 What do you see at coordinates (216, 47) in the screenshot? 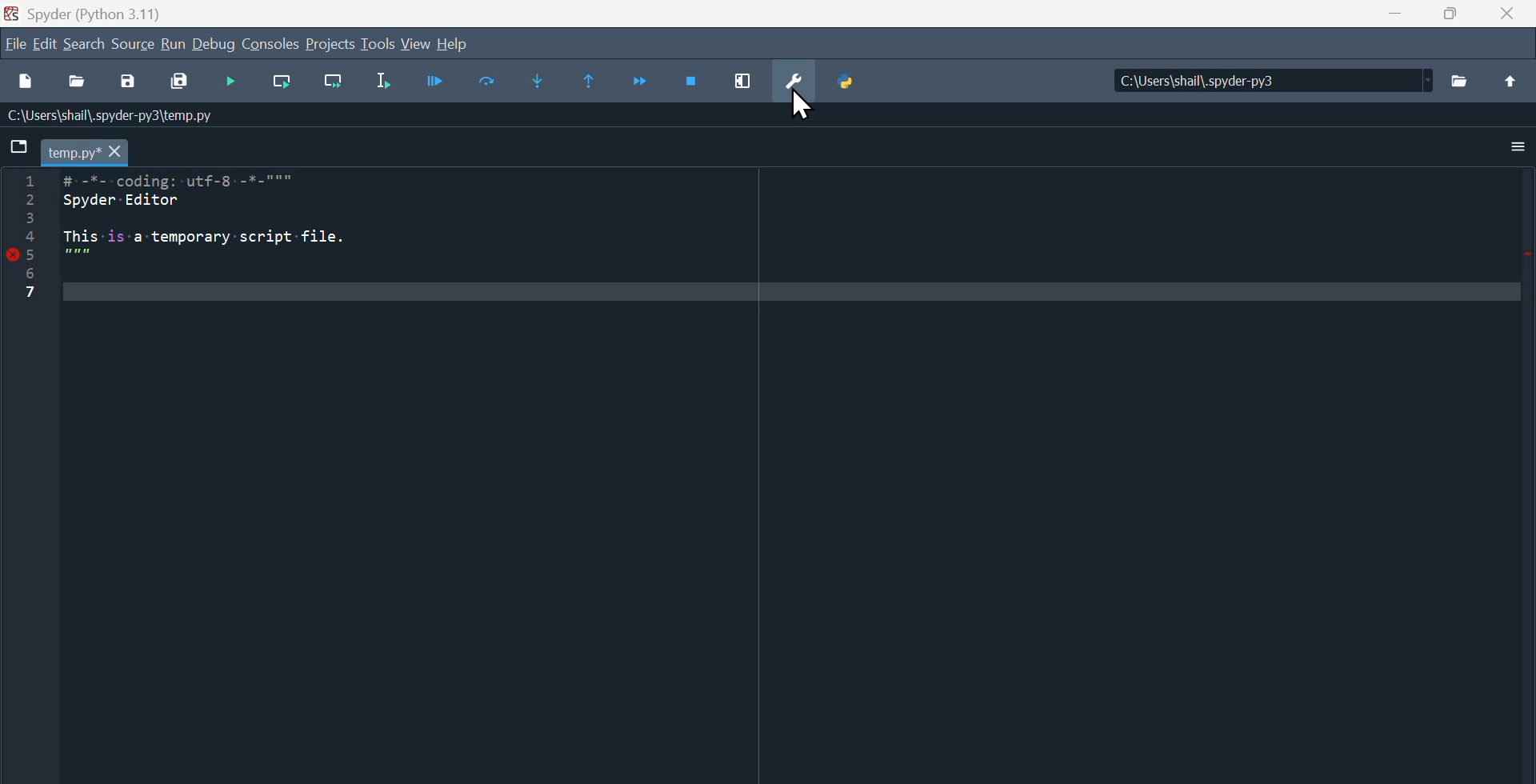
I see `Debug` at bounding box center [216, 47].